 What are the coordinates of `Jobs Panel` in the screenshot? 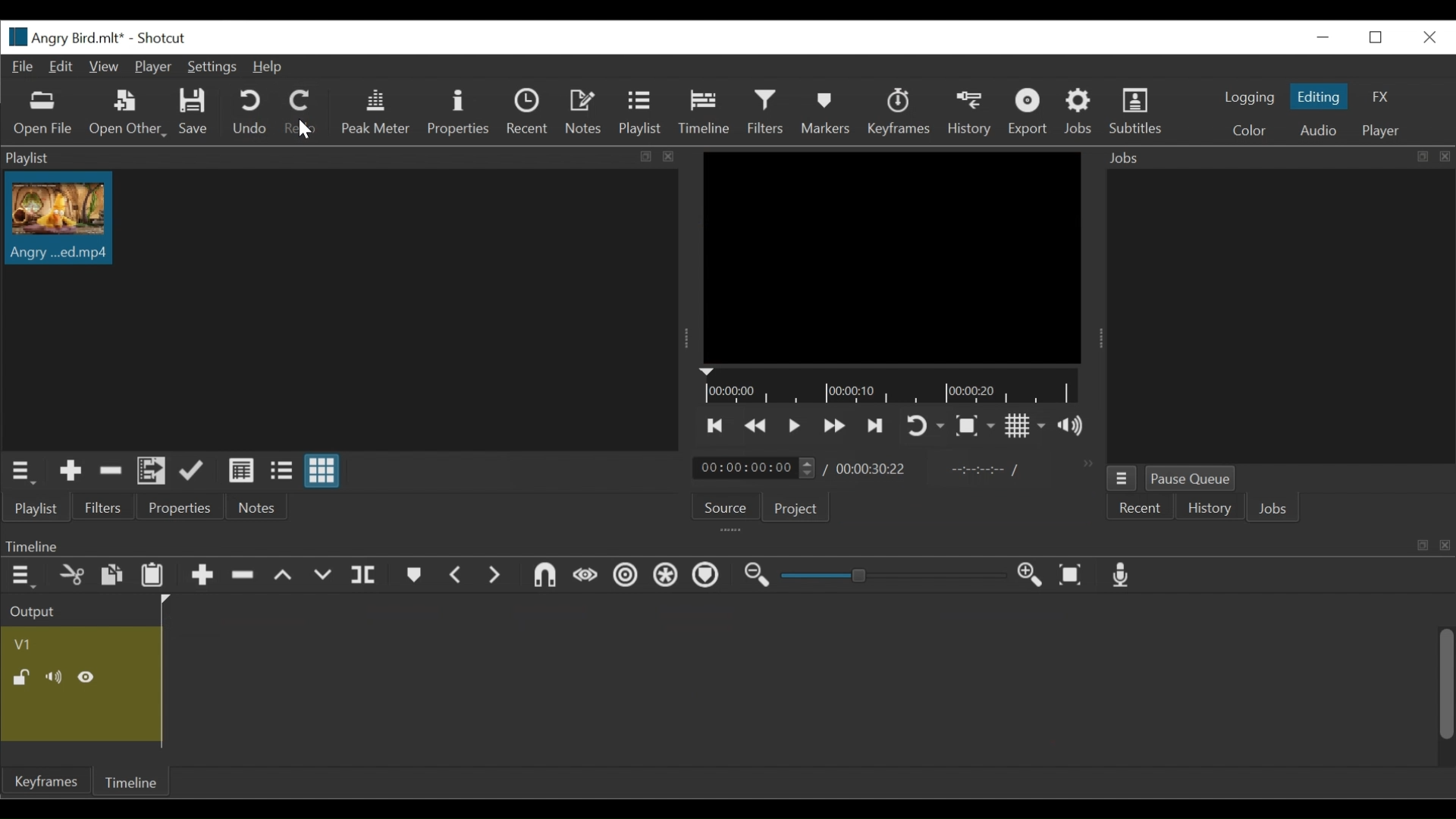 It's located at (1275, 158).